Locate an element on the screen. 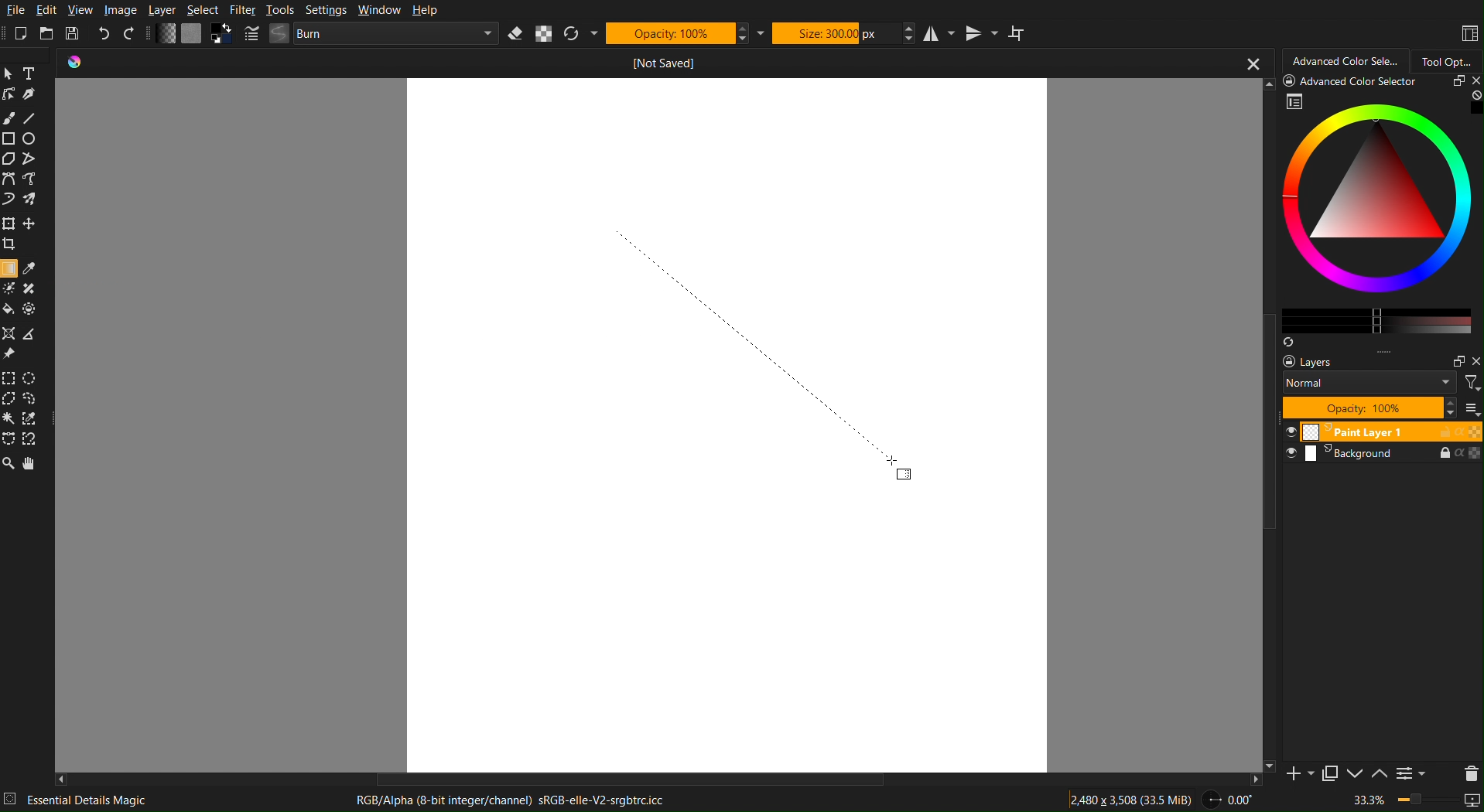  Image is located at coordinates (120, 10).